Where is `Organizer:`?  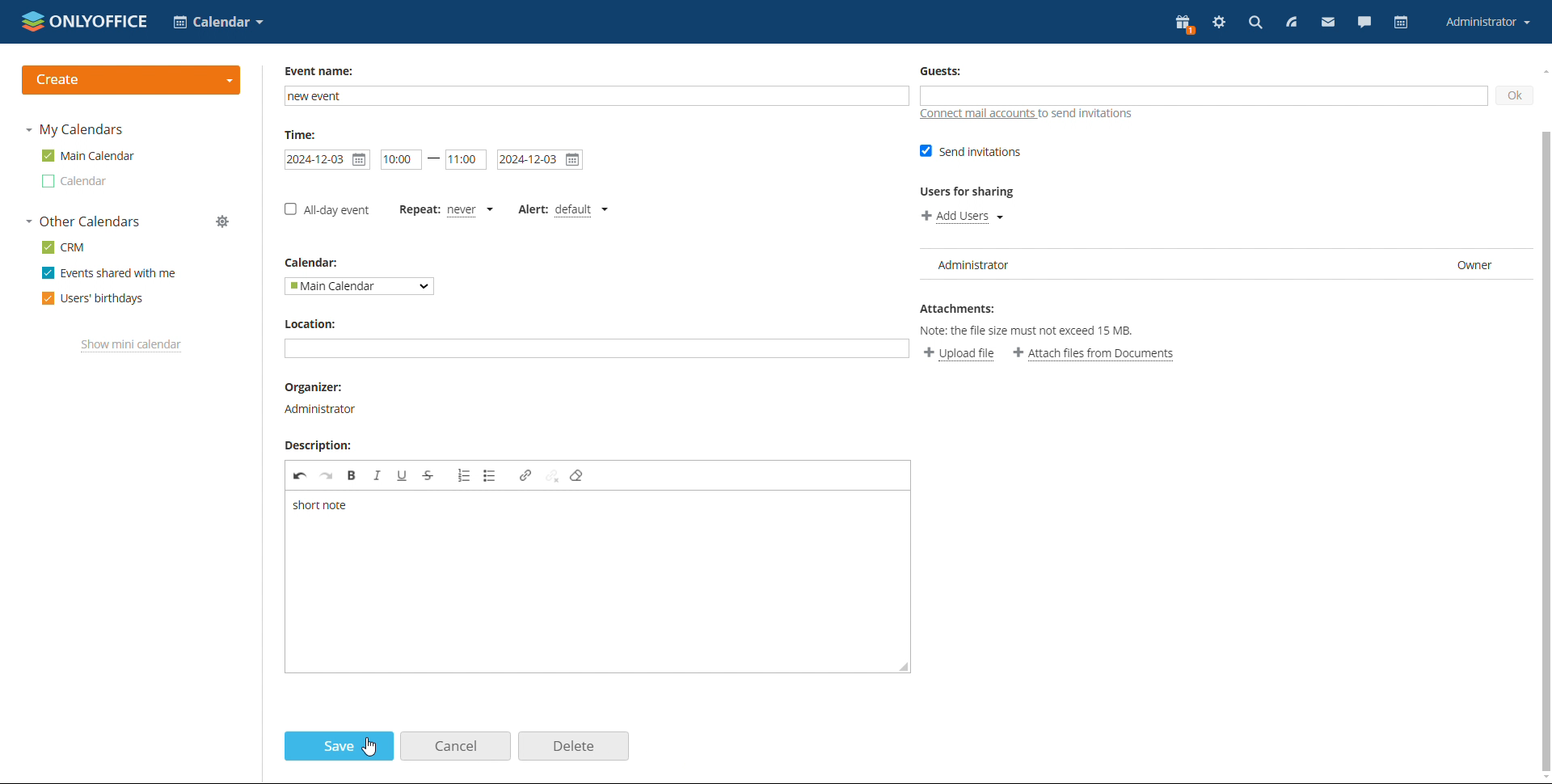
Organizer: is located at coordinates (314, 386).